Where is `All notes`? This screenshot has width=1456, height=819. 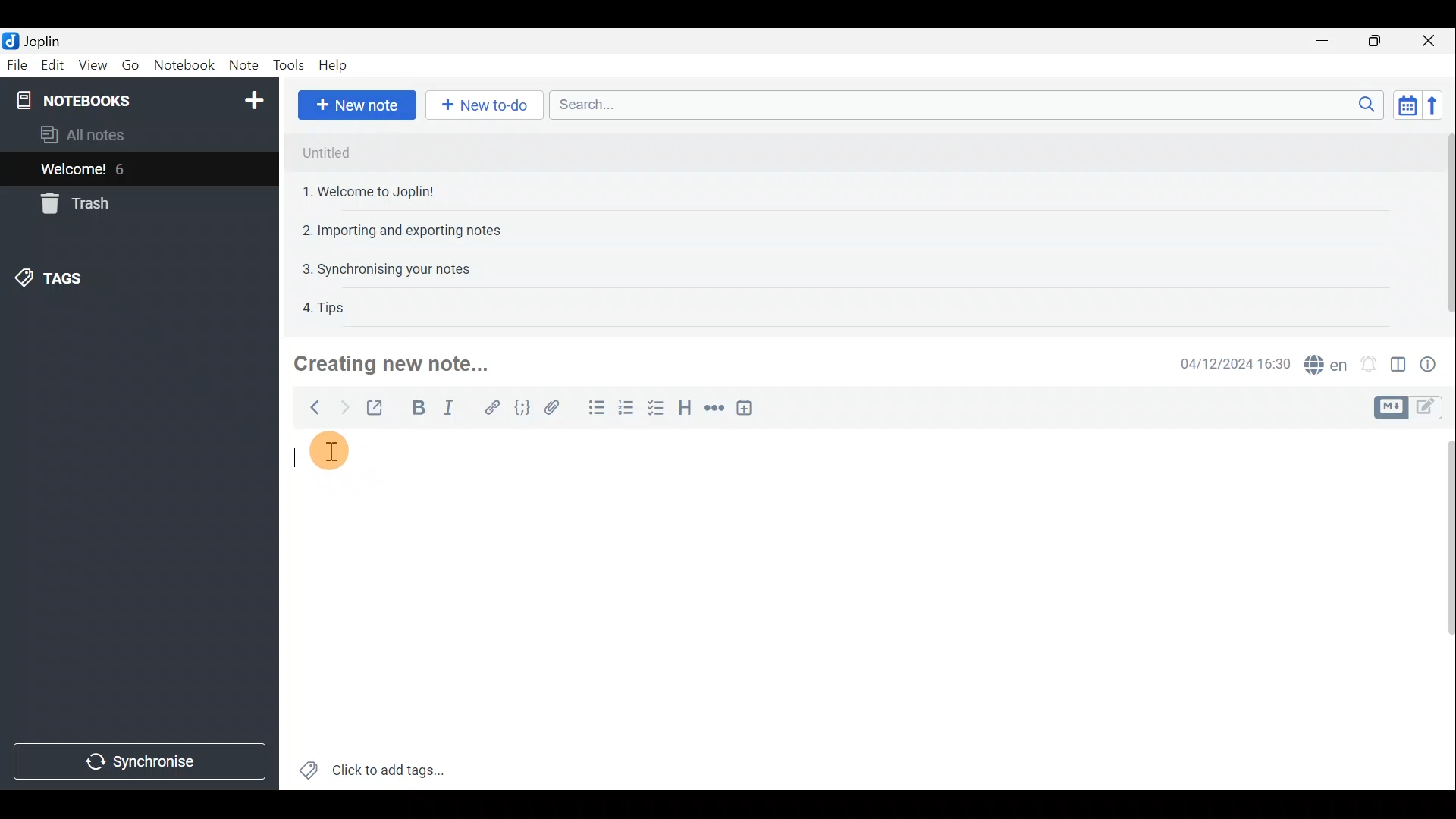
All notes is located at coordinates (108, 134).